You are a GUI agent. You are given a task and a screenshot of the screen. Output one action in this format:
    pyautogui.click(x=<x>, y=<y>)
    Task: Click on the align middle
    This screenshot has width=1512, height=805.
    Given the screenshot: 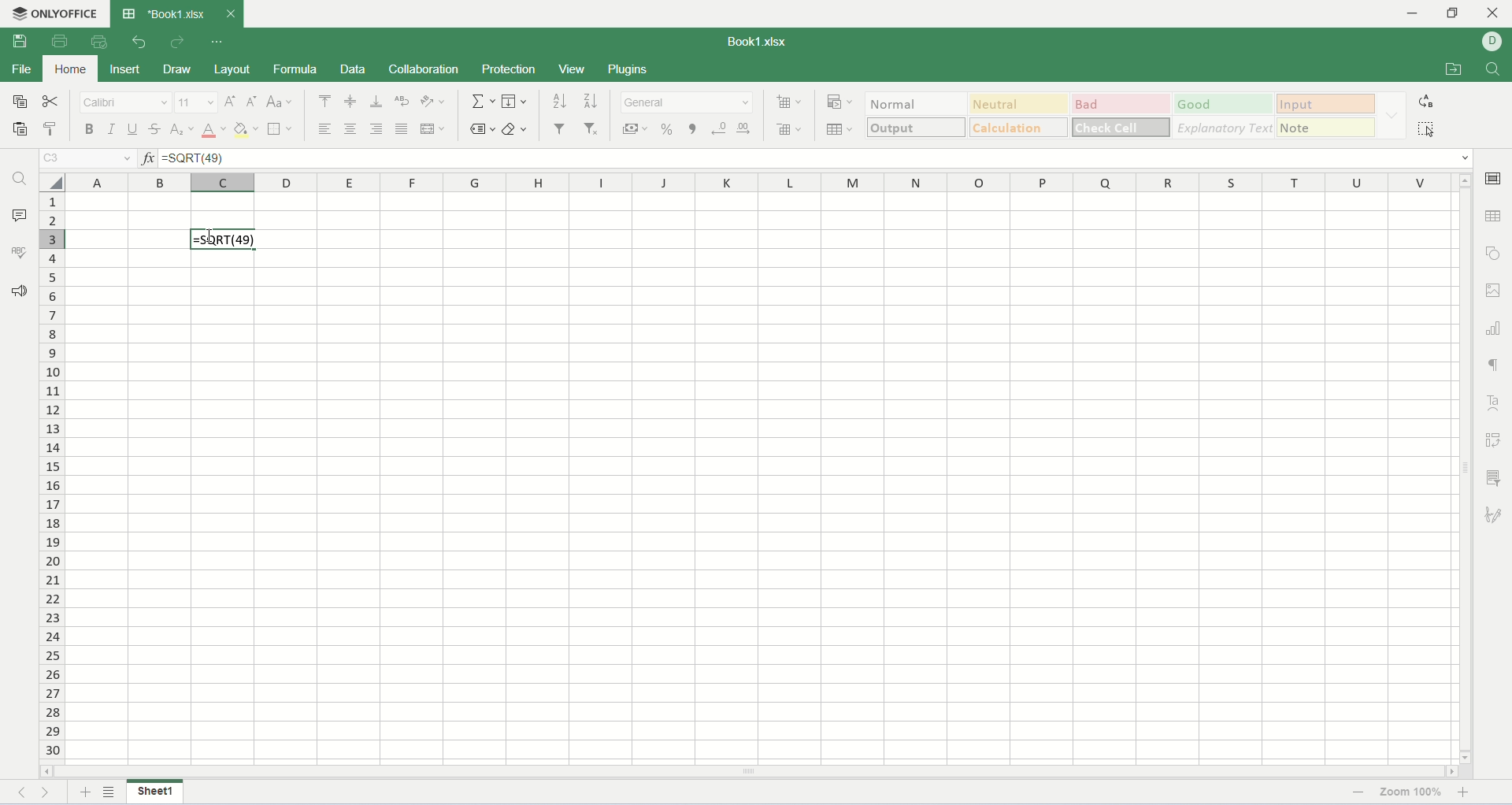 What is the action you would take?
    pyautogui.click(x=353, y=100)
    